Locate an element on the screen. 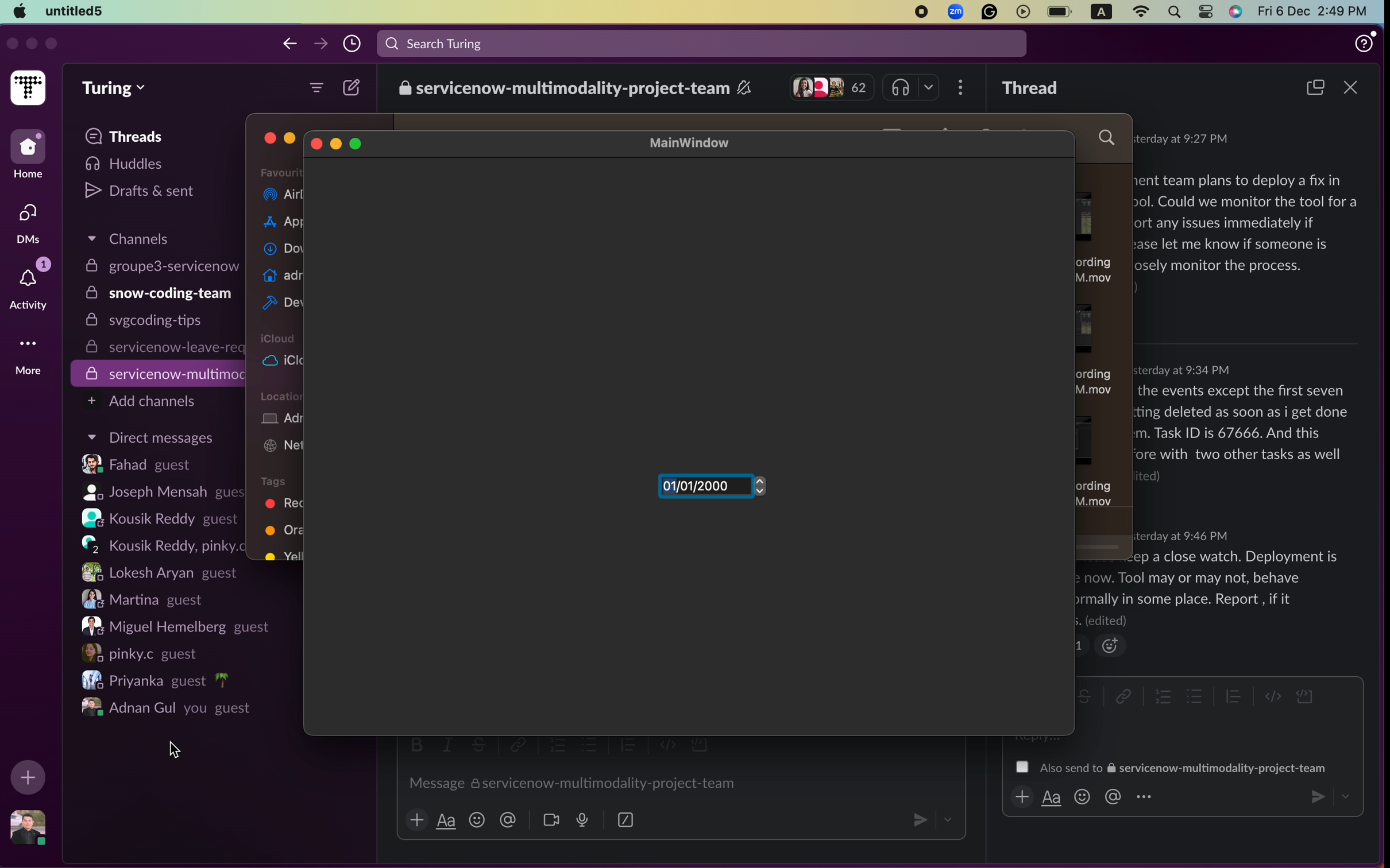  group3-servicenow is located at coordinates (159, 266).